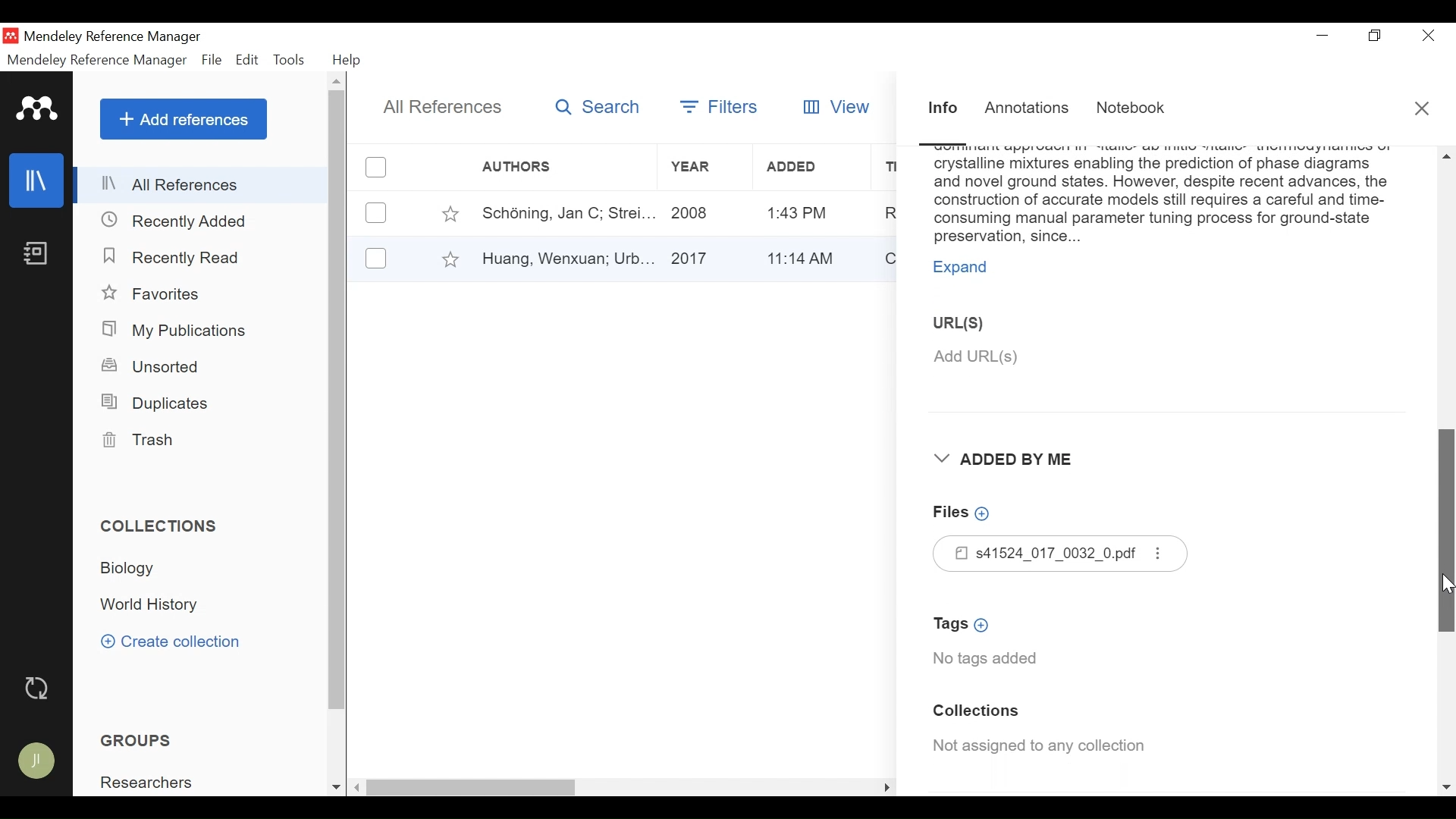  I want to click on Scroll up, so click(1445, 155).